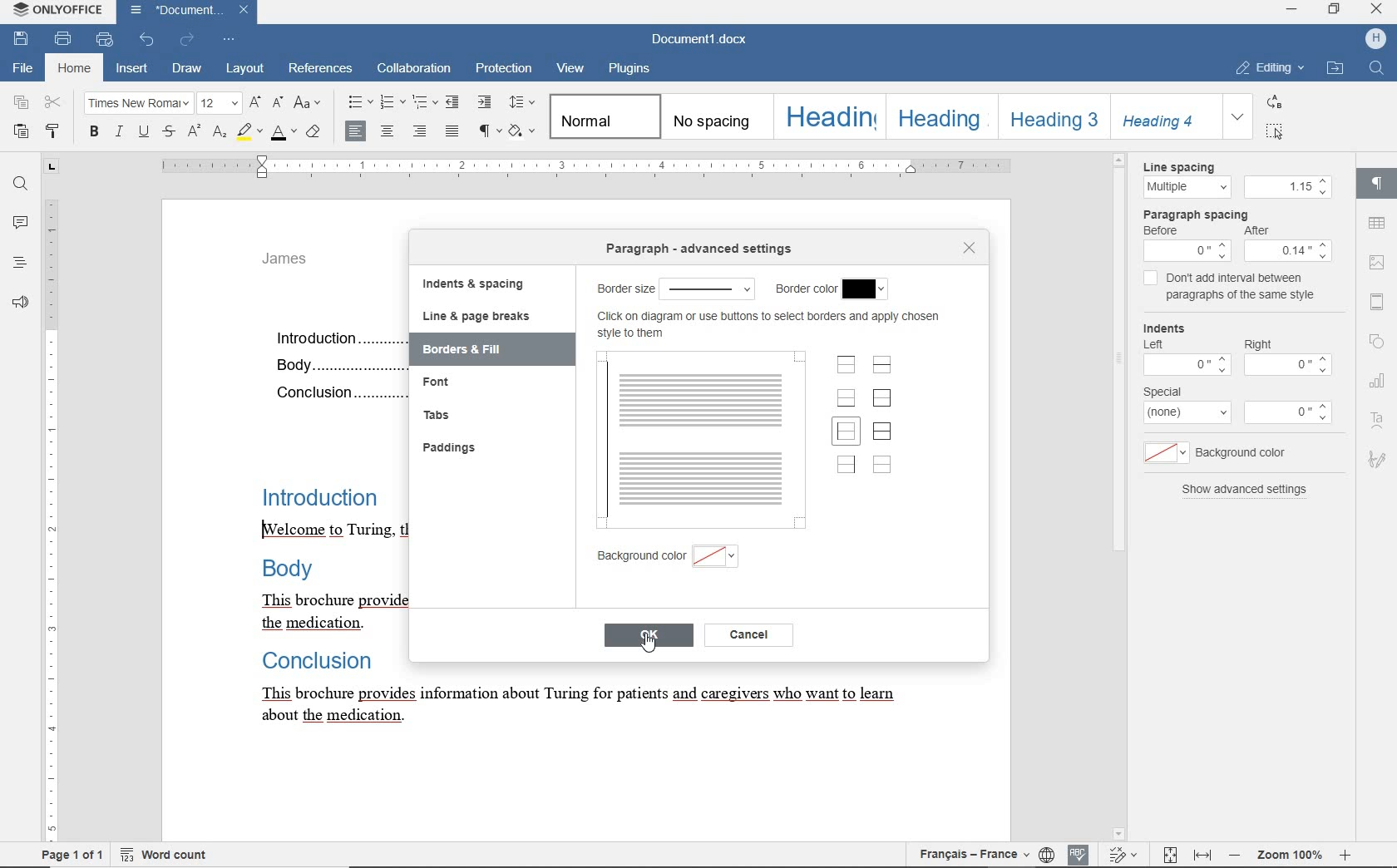 The width and height of the screenshot is (1397, 868). Describe the element at coordinates (23, 40) in the screenshot. I see `save` at that location.